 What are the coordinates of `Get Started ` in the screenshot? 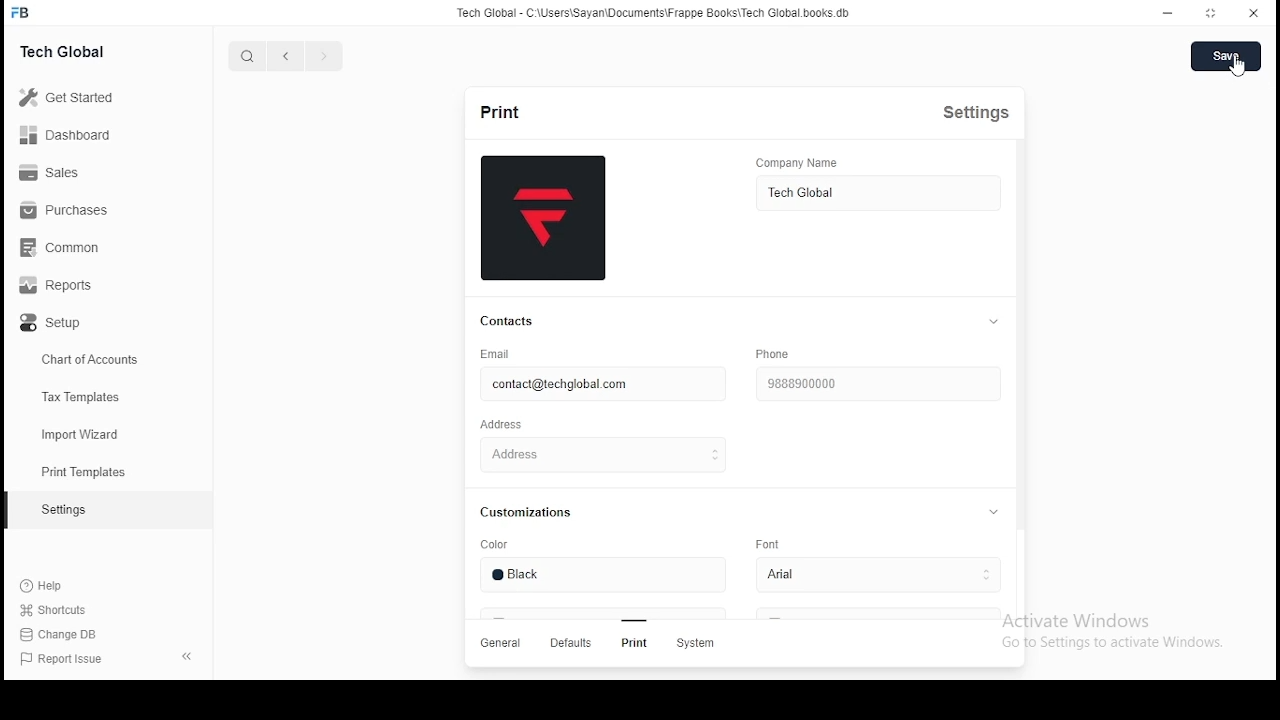 It's located at (91, 97).